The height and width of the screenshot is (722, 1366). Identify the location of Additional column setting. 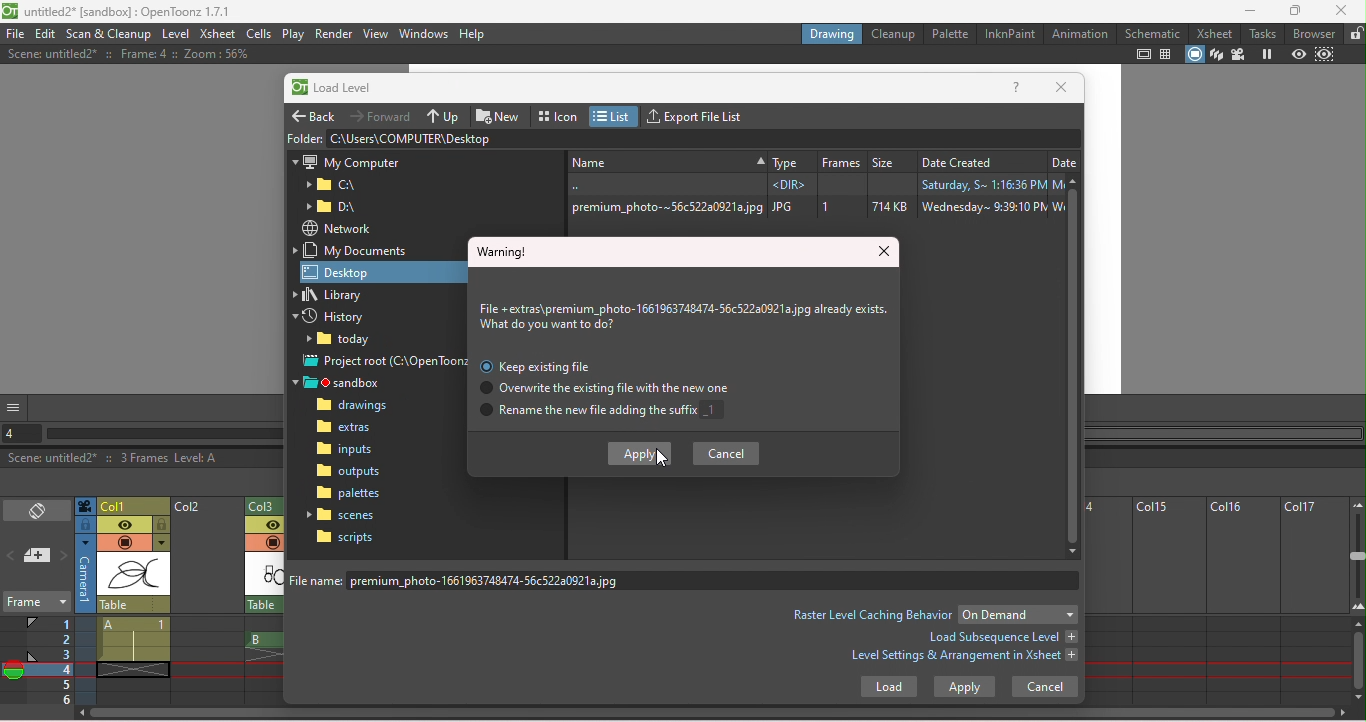
(161, 543).